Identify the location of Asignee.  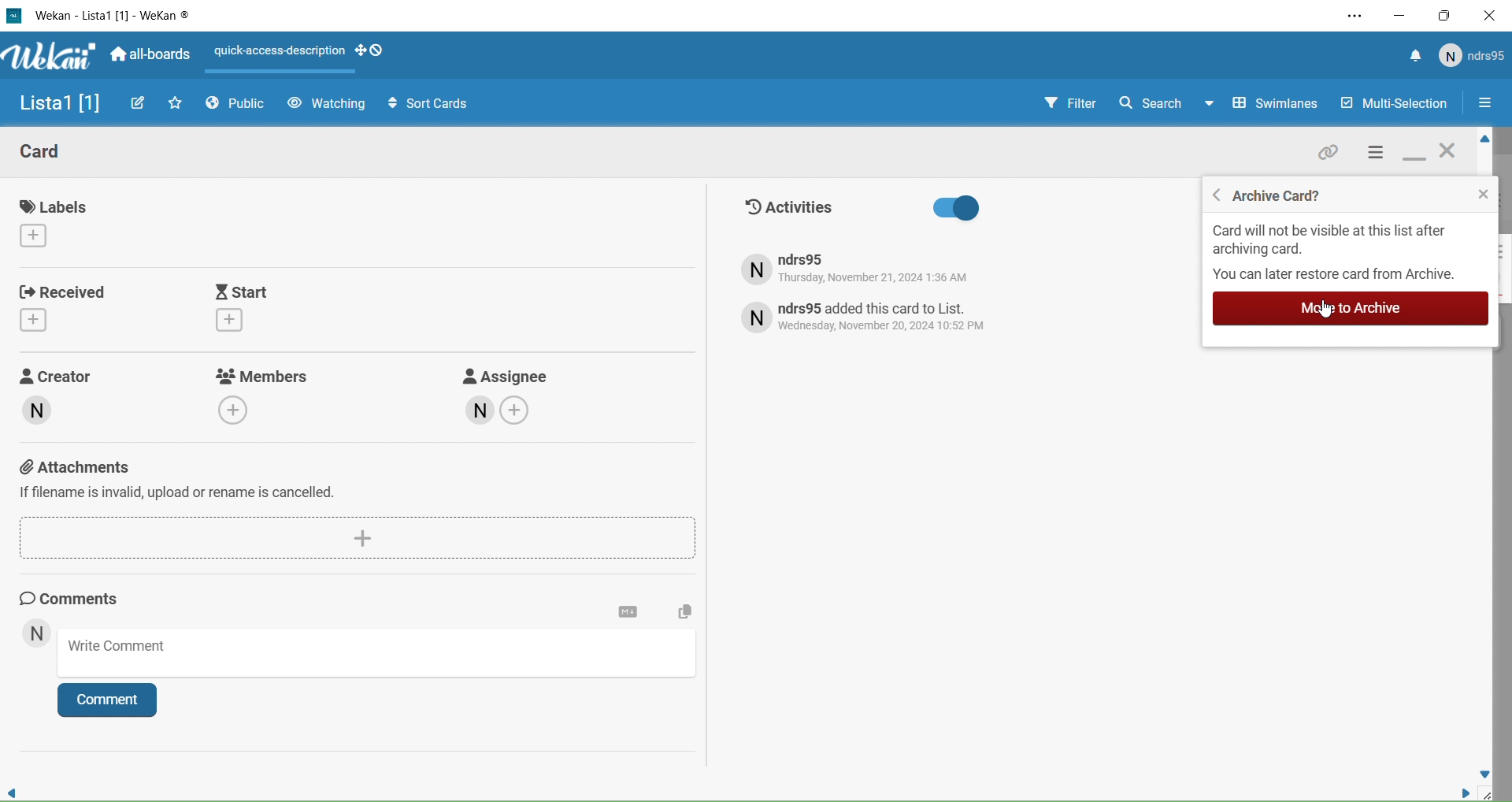
(524, 403).